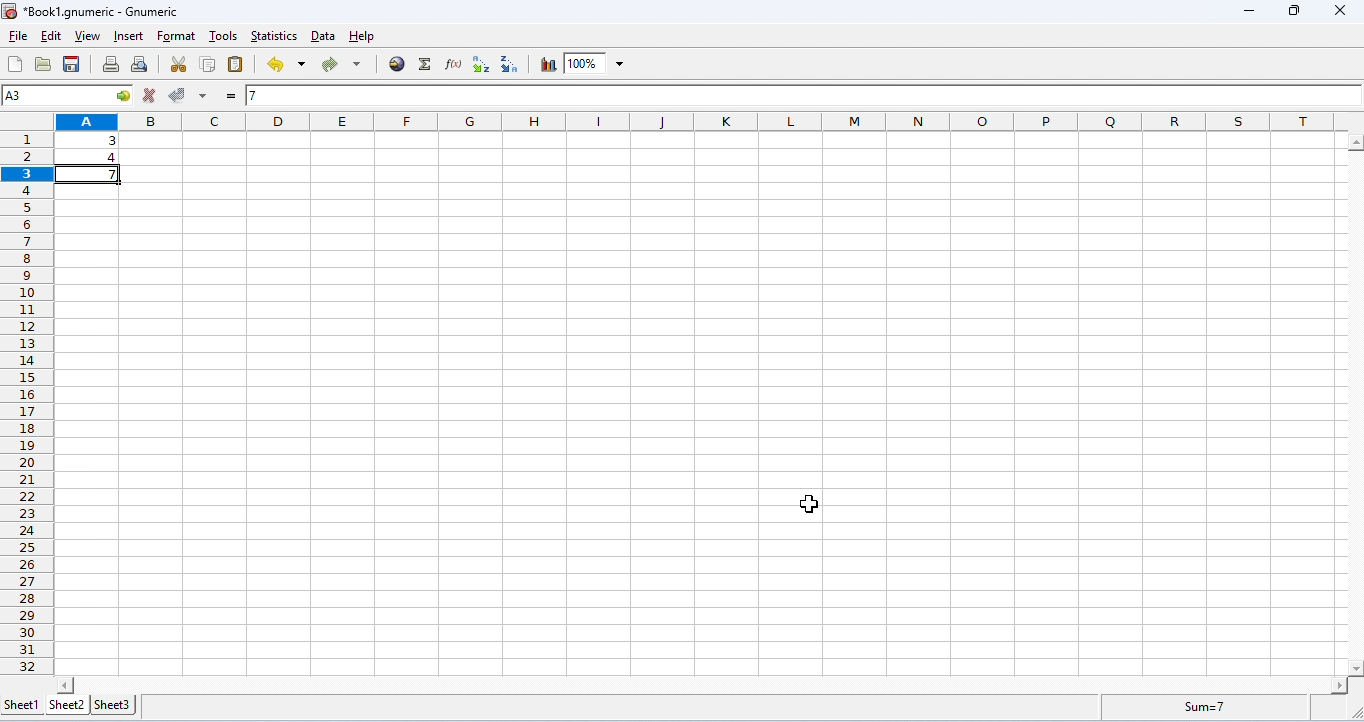 The image size is (1364, 722). What do you see at coordinates (297, 96) in the screenshot?
I see `7` at bounding box center [297, 96].